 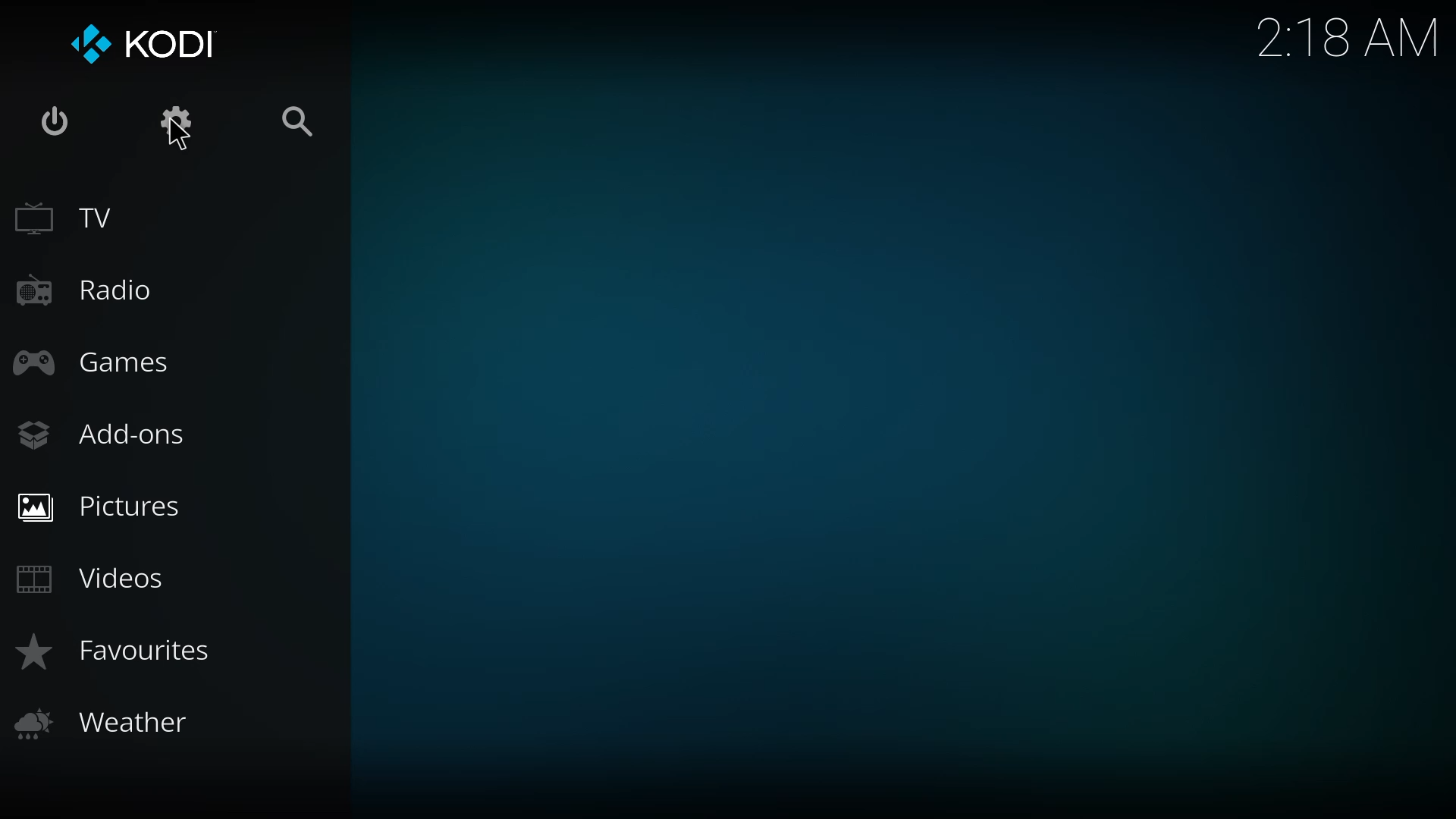 What do you see at coordinates (296, 121) in the screenshot?
I see `search` at bounding box center [296, 121].